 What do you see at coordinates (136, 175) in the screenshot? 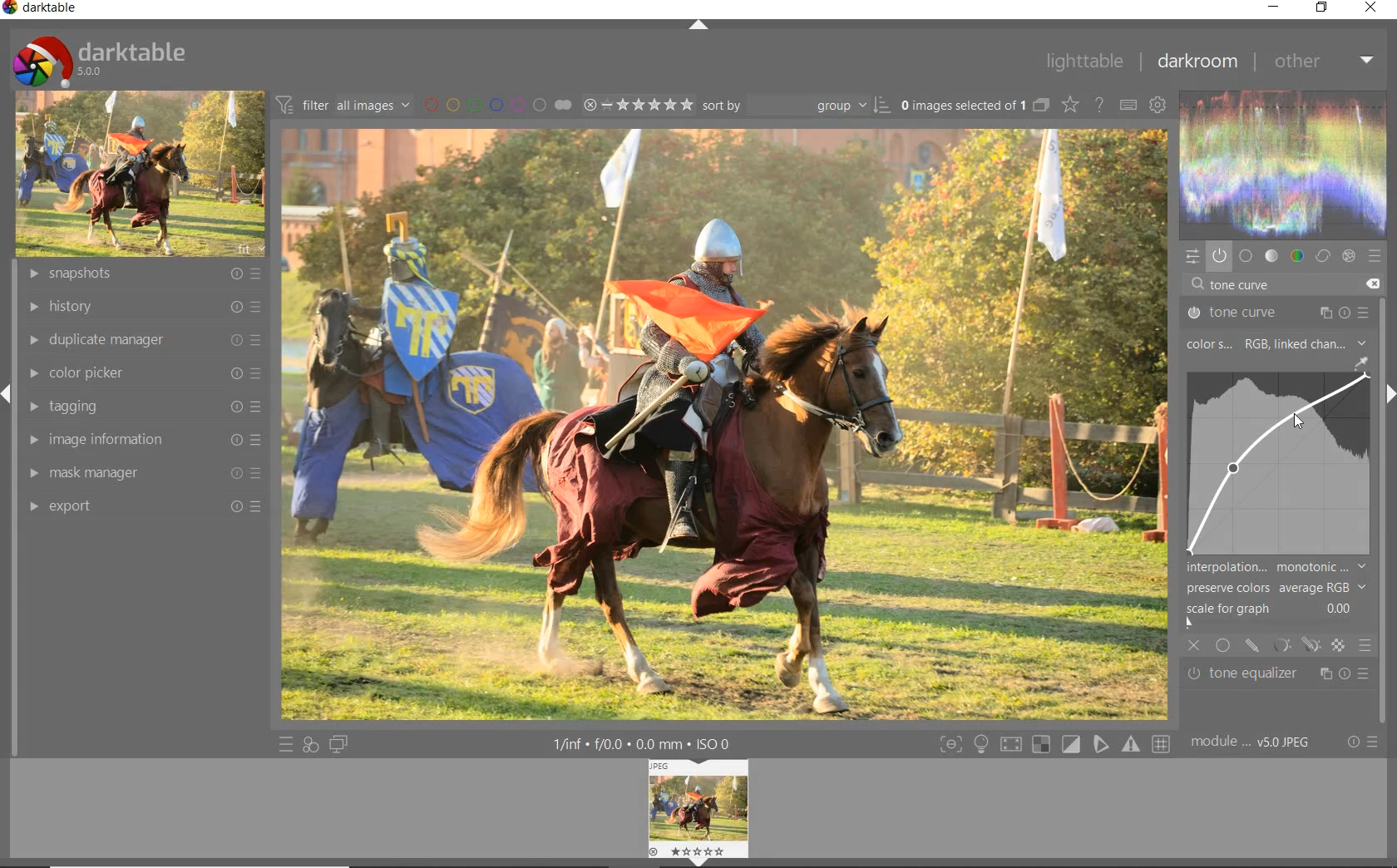
I see `image` at bounding box center [136, 175].